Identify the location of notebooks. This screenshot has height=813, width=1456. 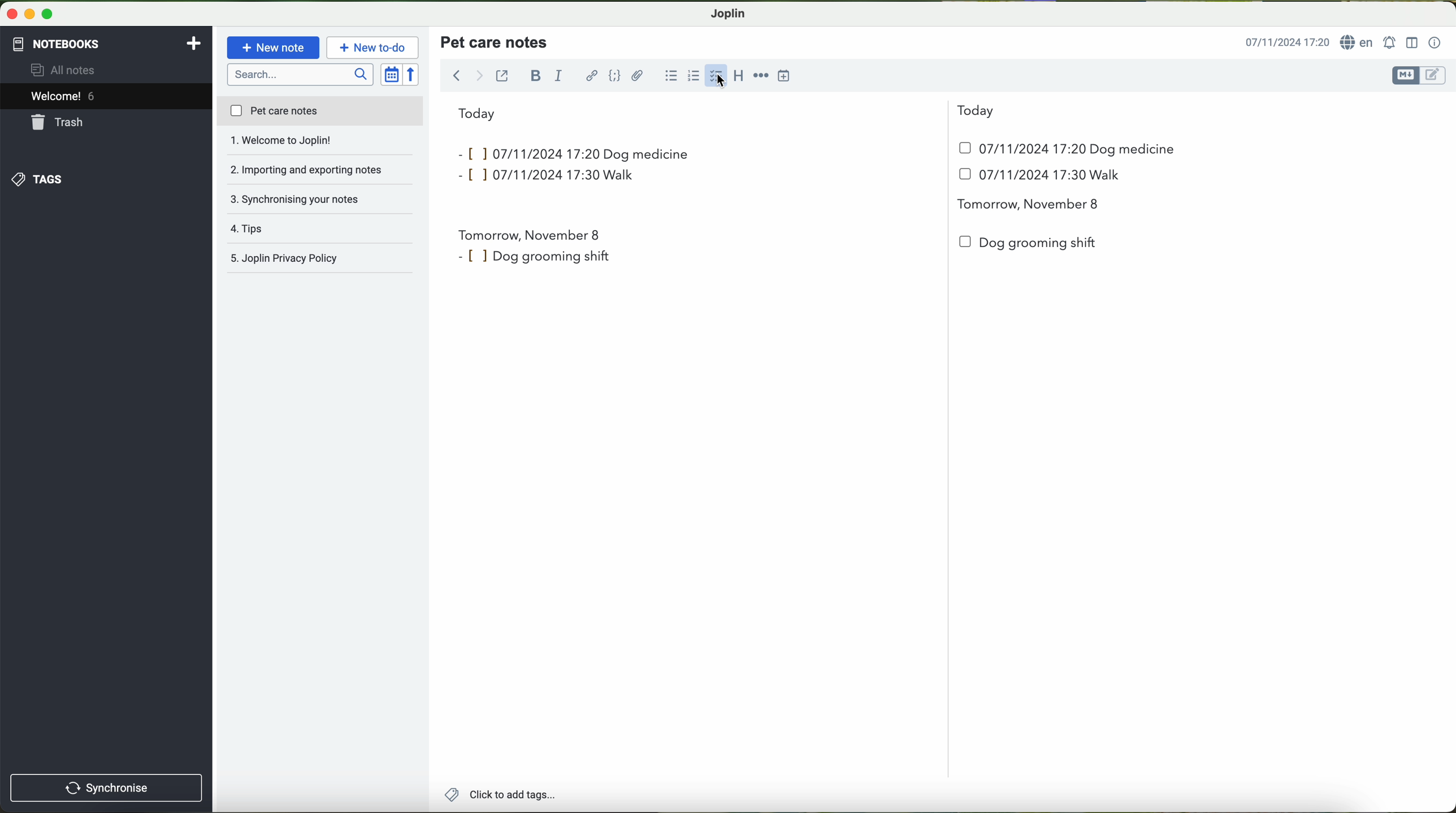
(55, 42).